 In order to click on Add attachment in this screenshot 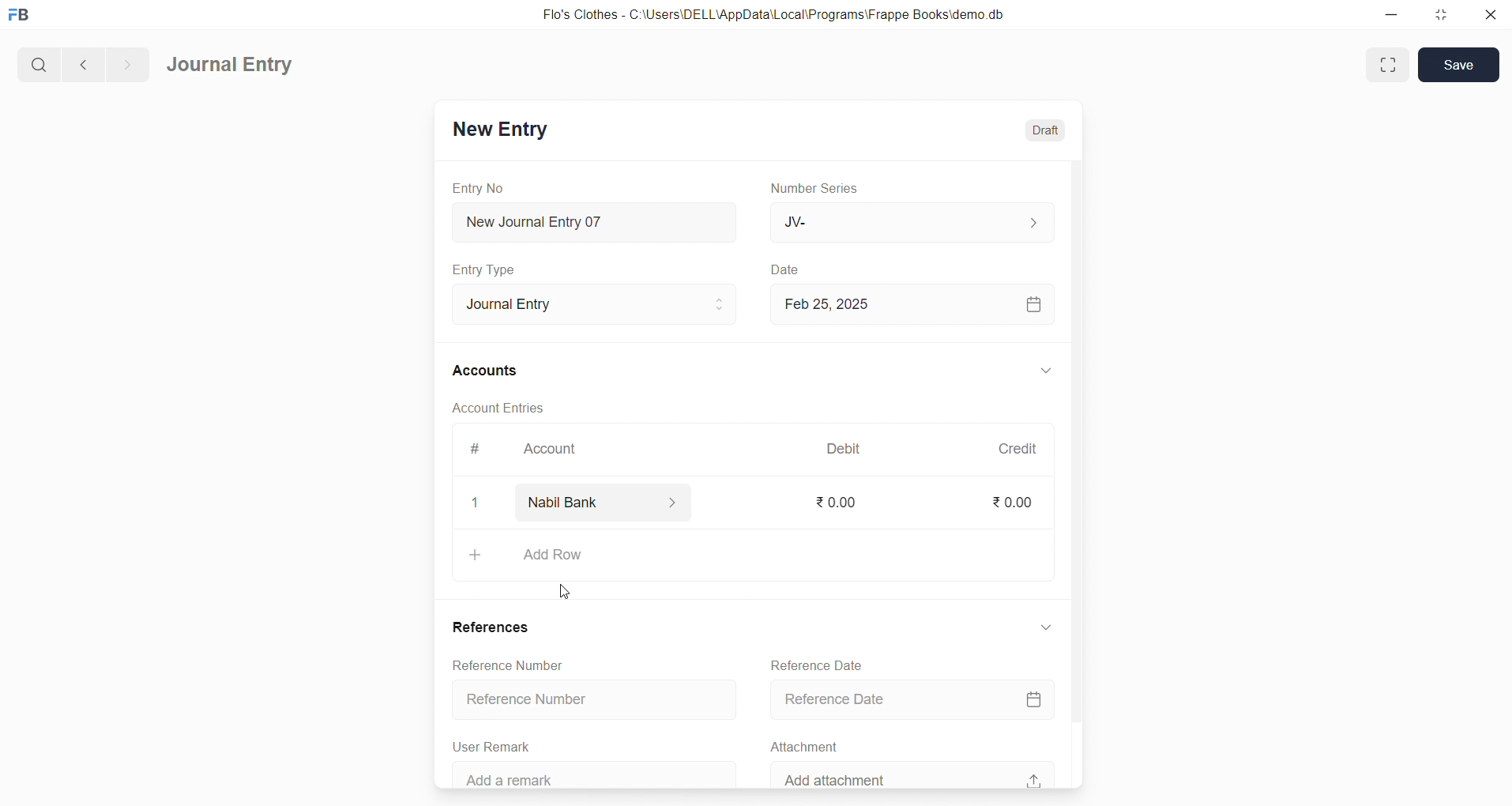, I will do `click(912, 774)`.